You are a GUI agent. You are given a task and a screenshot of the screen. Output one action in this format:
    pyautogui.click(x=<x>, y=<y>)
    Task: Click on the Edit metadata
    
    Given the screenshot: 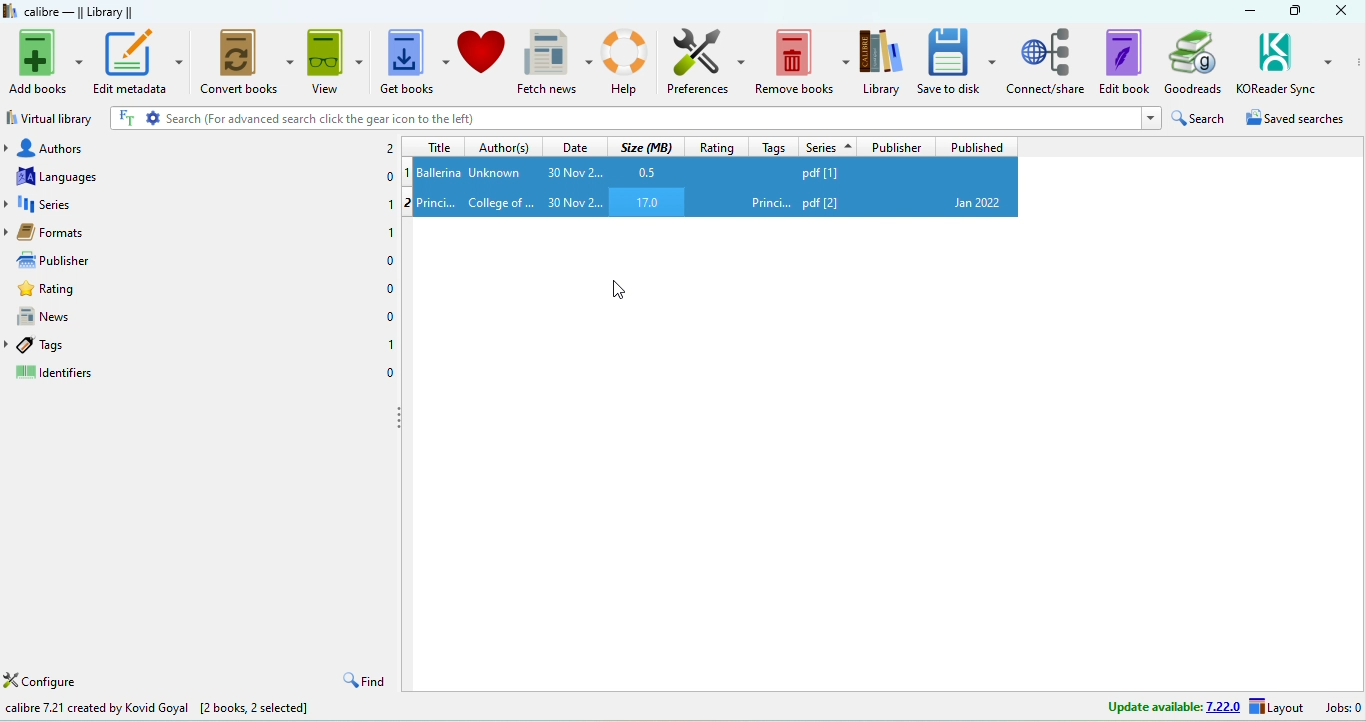 What is the action you would take?
    pyautogui.click(x=142, y=61)
    